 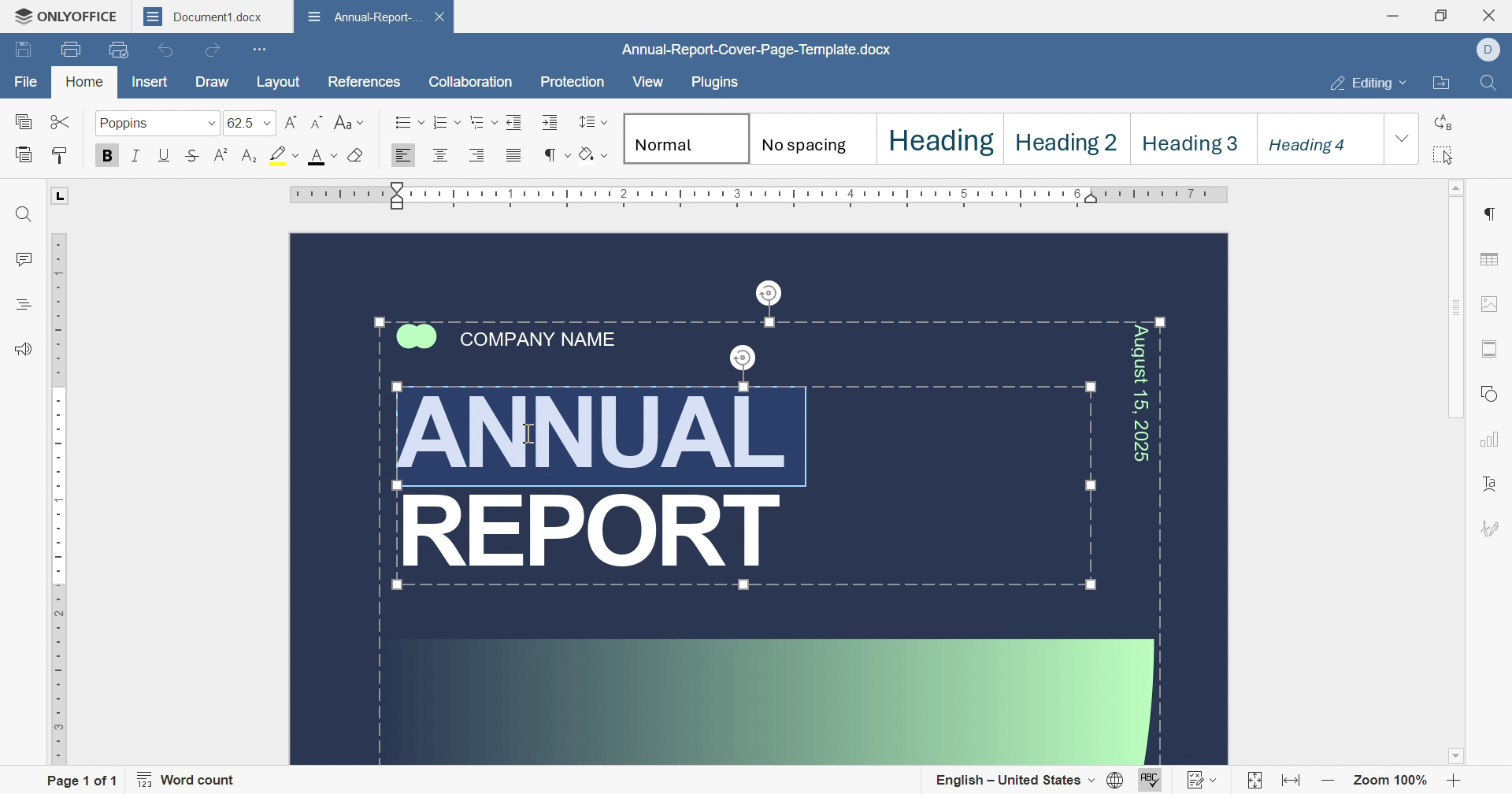 I want to click on numbering, so click(x=447, y=121).